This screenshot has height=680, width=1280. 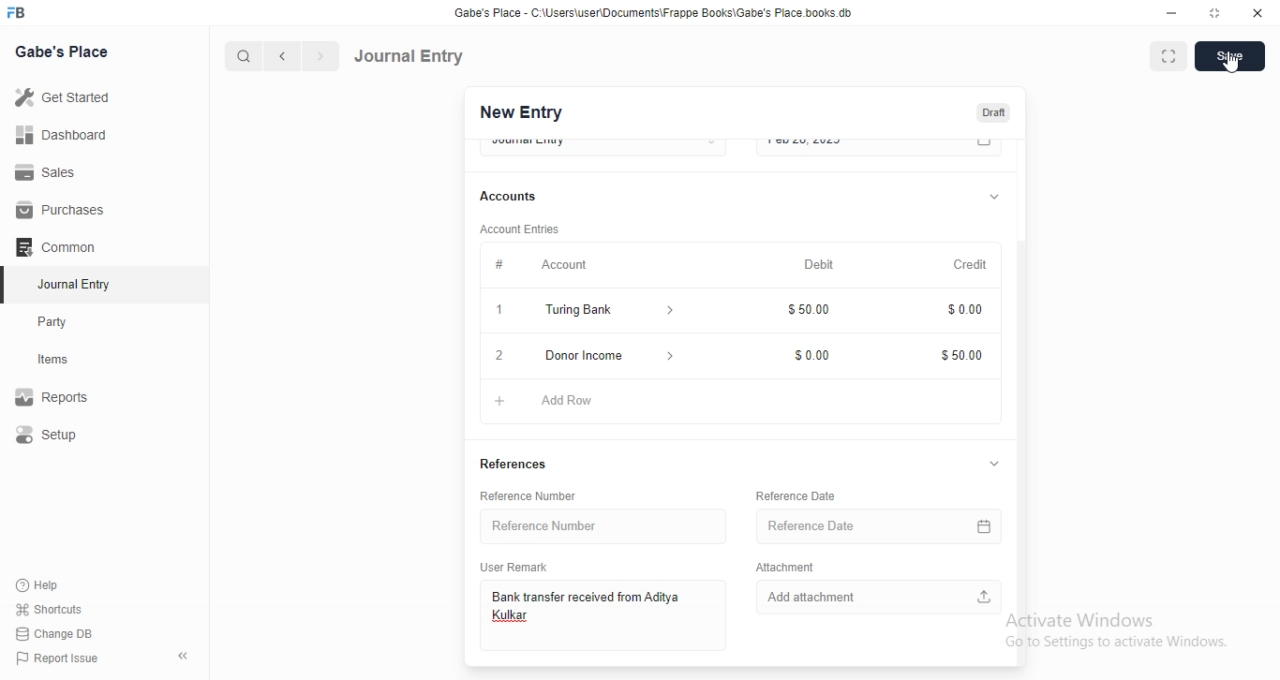 I want to click on Credit, so click(x=972, y=265).